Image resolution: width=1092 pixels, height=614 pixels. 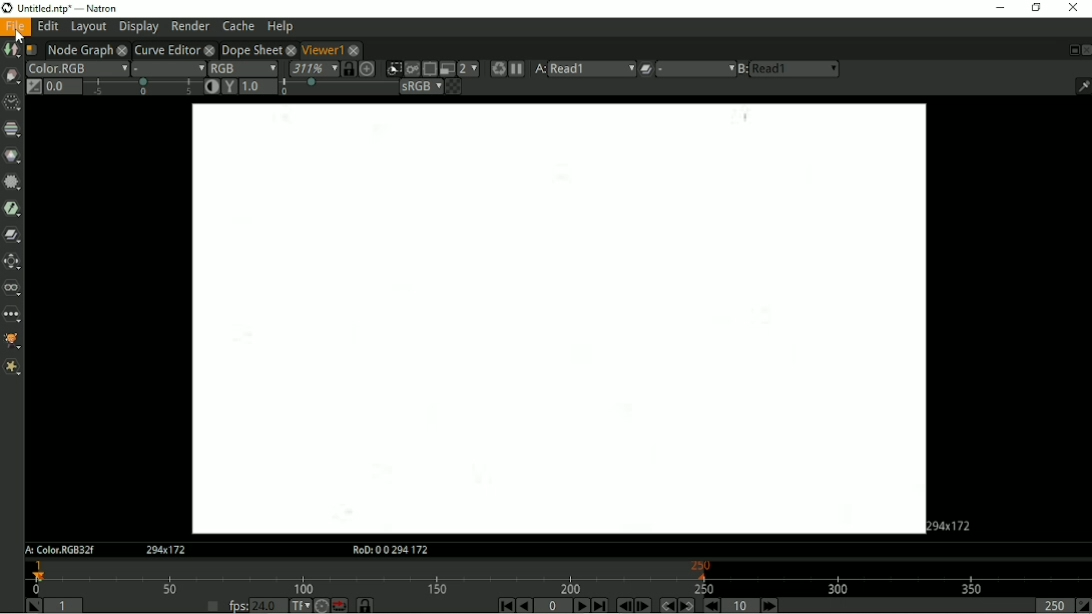 I want to click on Close, so click(x=1086, y=50).